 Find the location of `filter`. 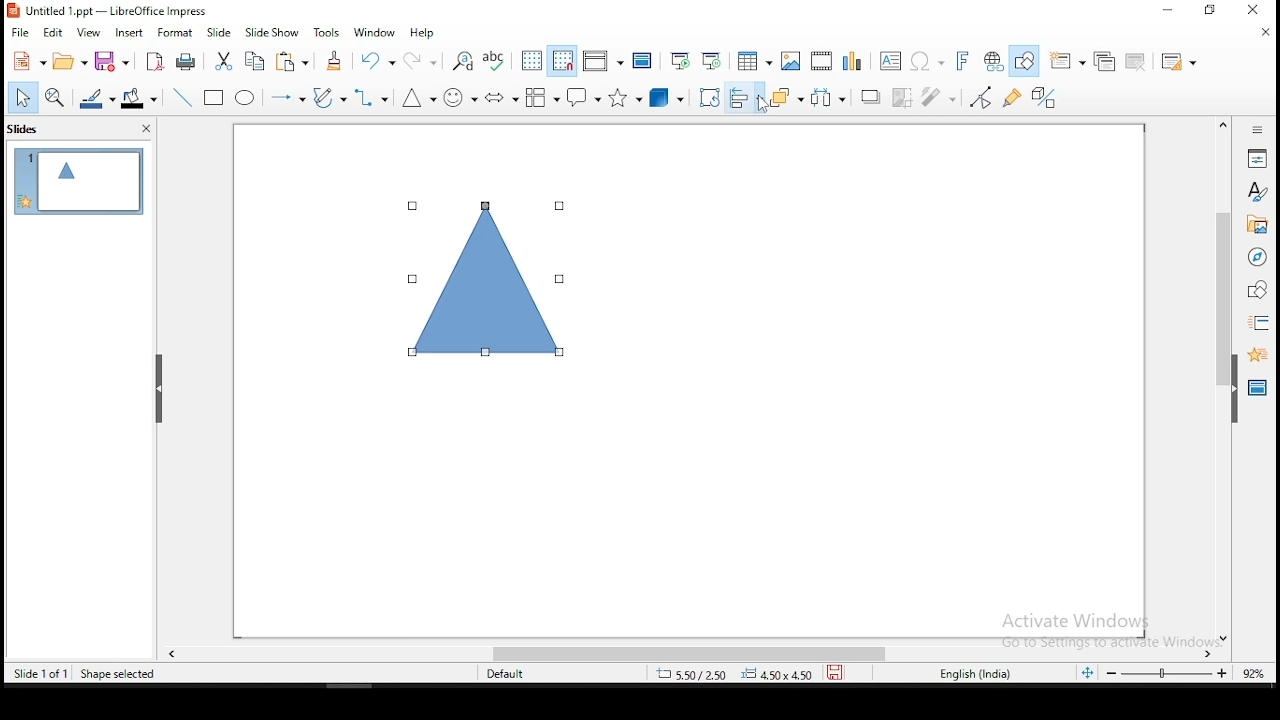

filter is located at coordinates (943, 97).